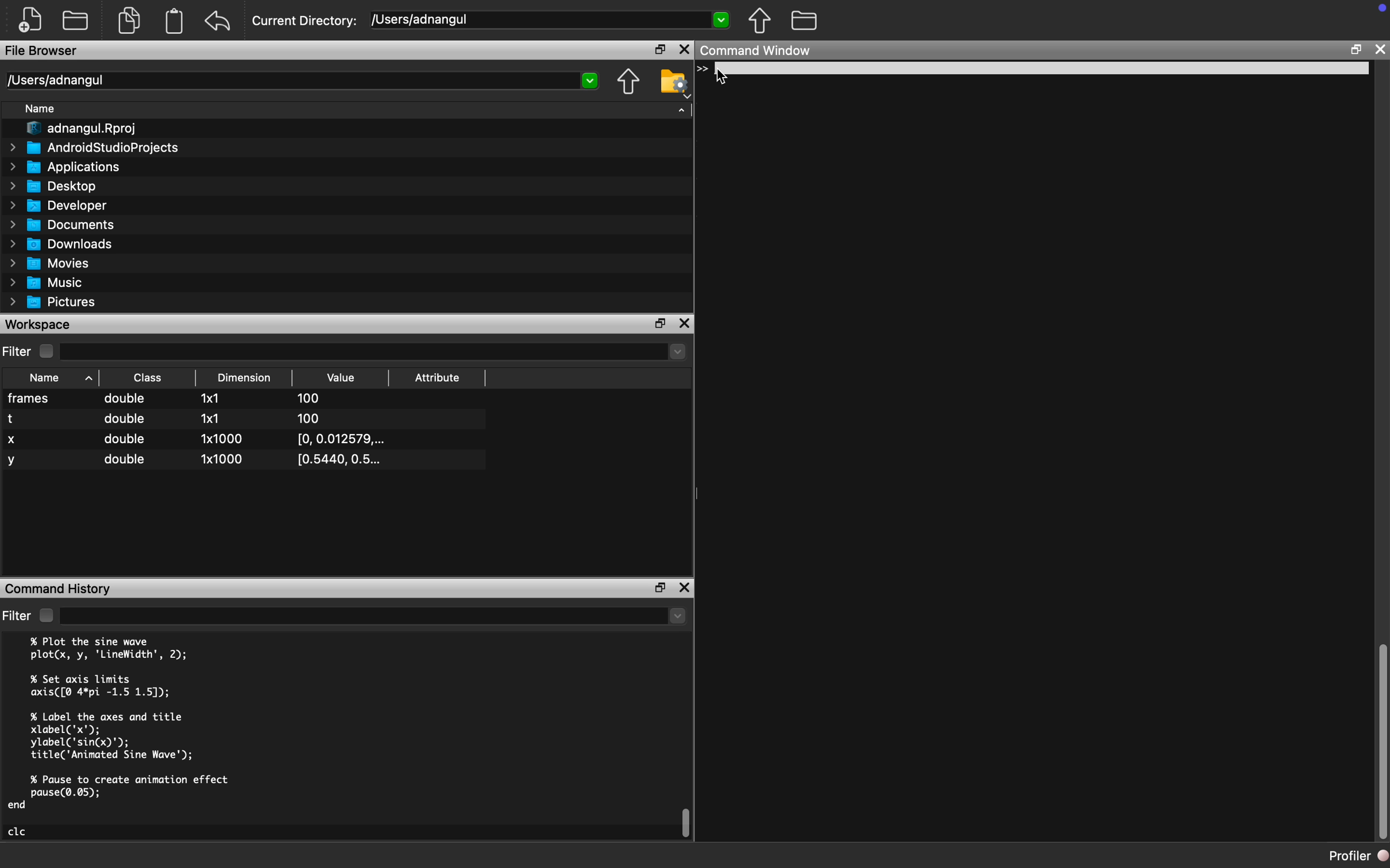 The image size is (1390, 868). Describe the element at coordinates (306, 81) in the screenshot. I see `/Users/adnangul 2` at that location.